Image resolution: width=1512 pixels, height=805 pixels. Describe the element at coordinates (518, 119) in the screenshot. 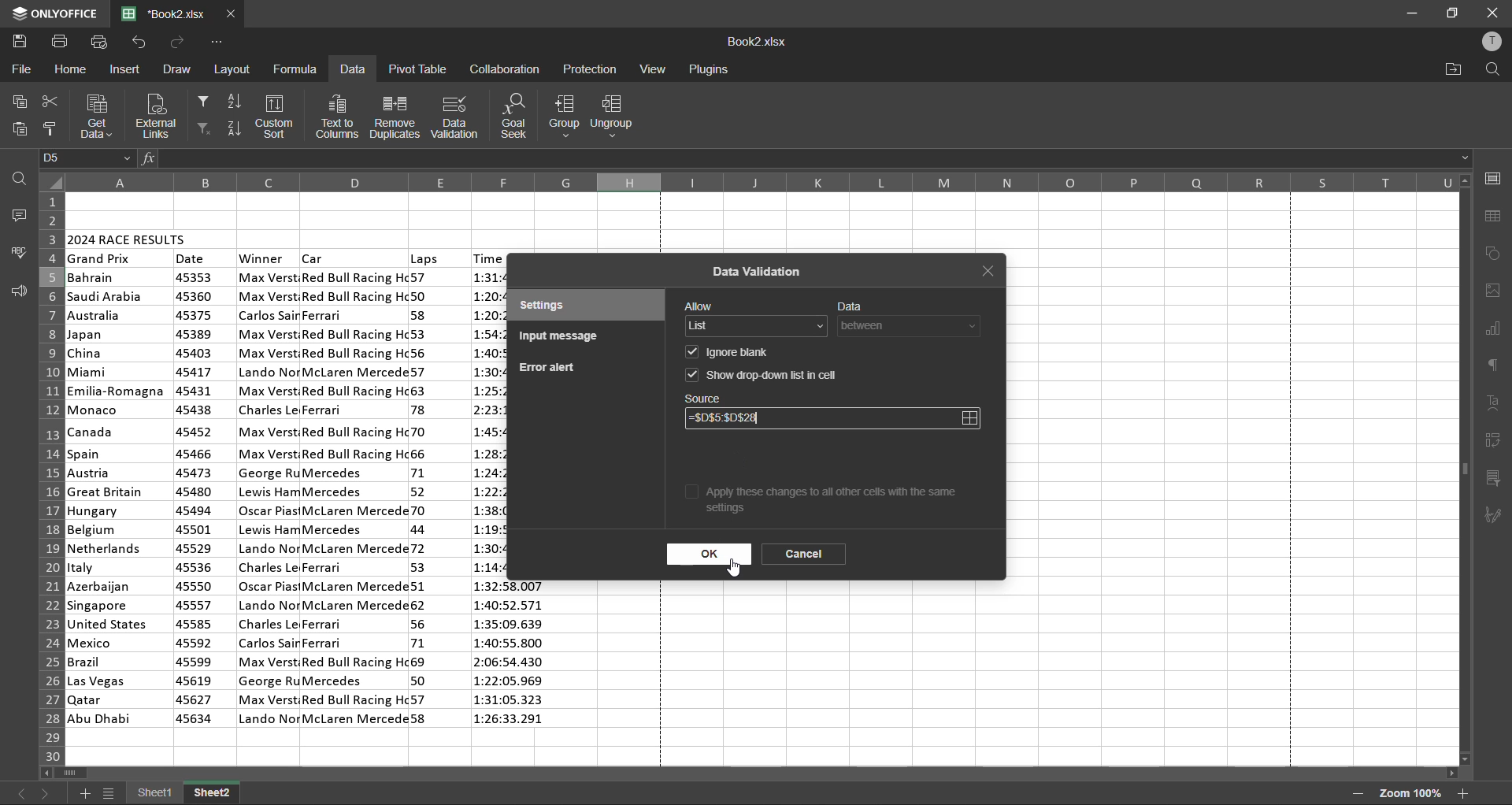

I see `goal seek` at that location.